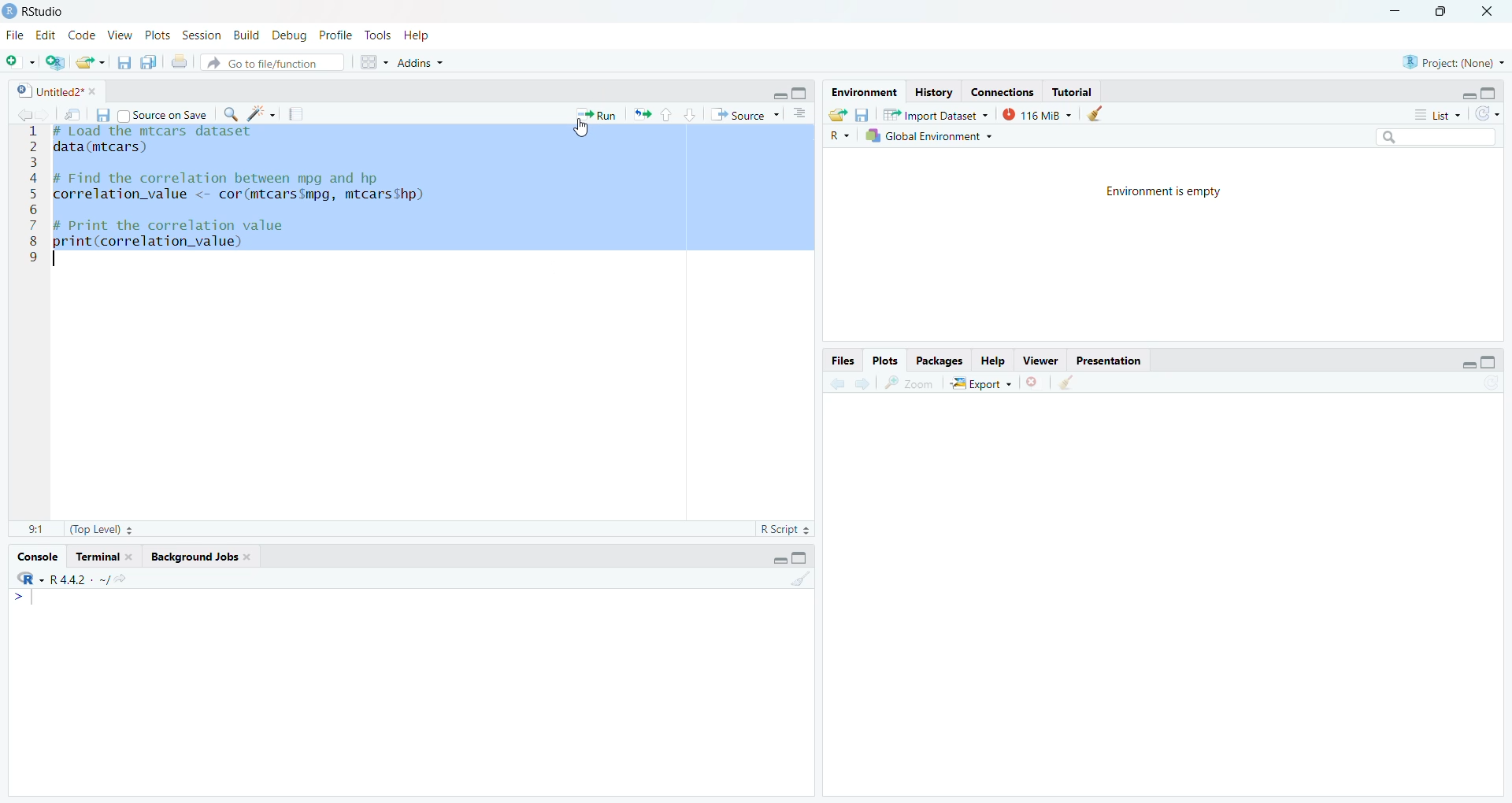 The width and height of the screenshot is (1512, 803). What do you see at coordinates (265, 113) in the screenshot?
I see `Code Tools` at bounding box center [265, 113].